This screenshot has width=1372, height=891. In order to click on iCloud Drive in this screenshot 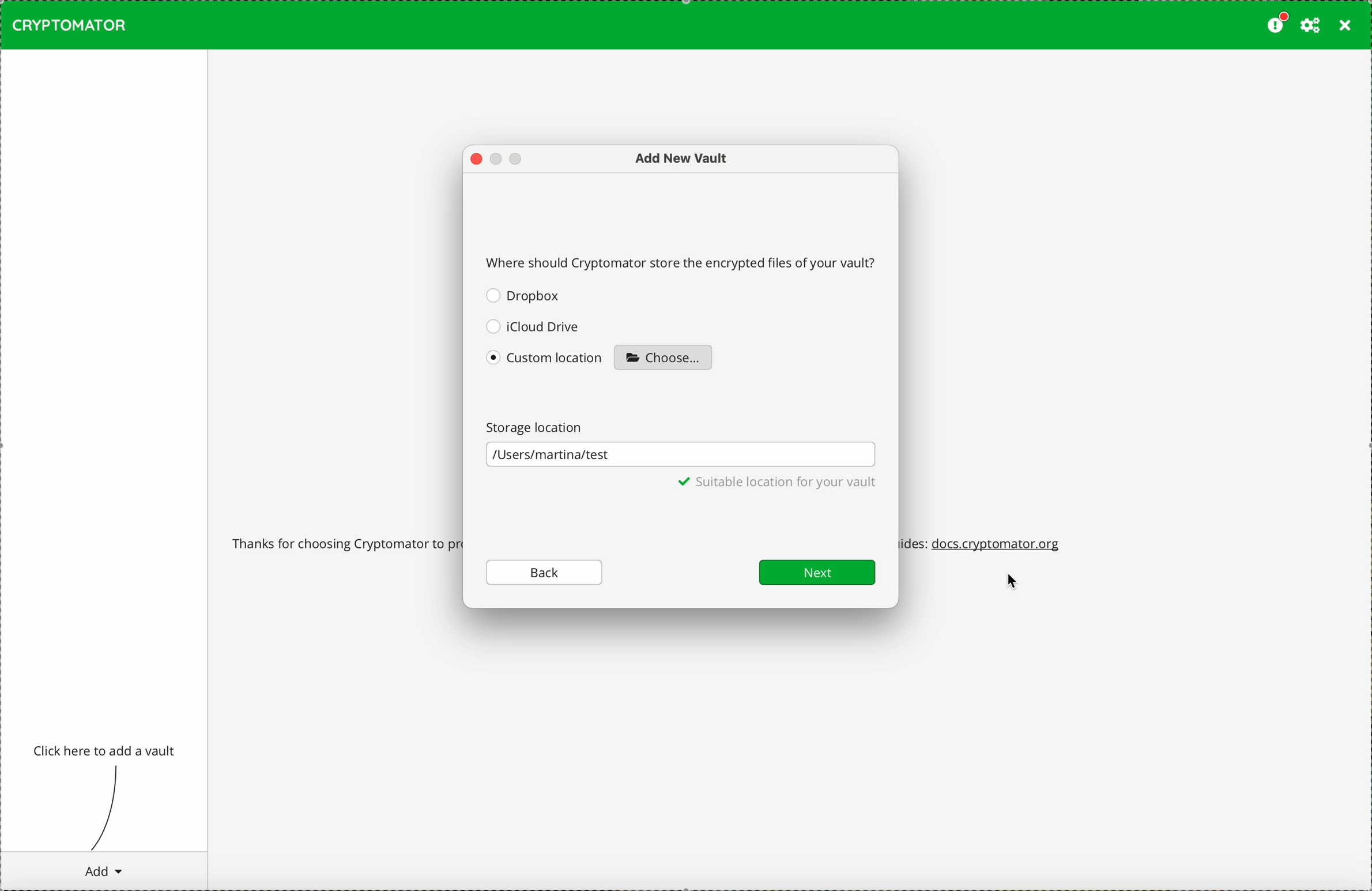, I will do `click(533, 325)`.